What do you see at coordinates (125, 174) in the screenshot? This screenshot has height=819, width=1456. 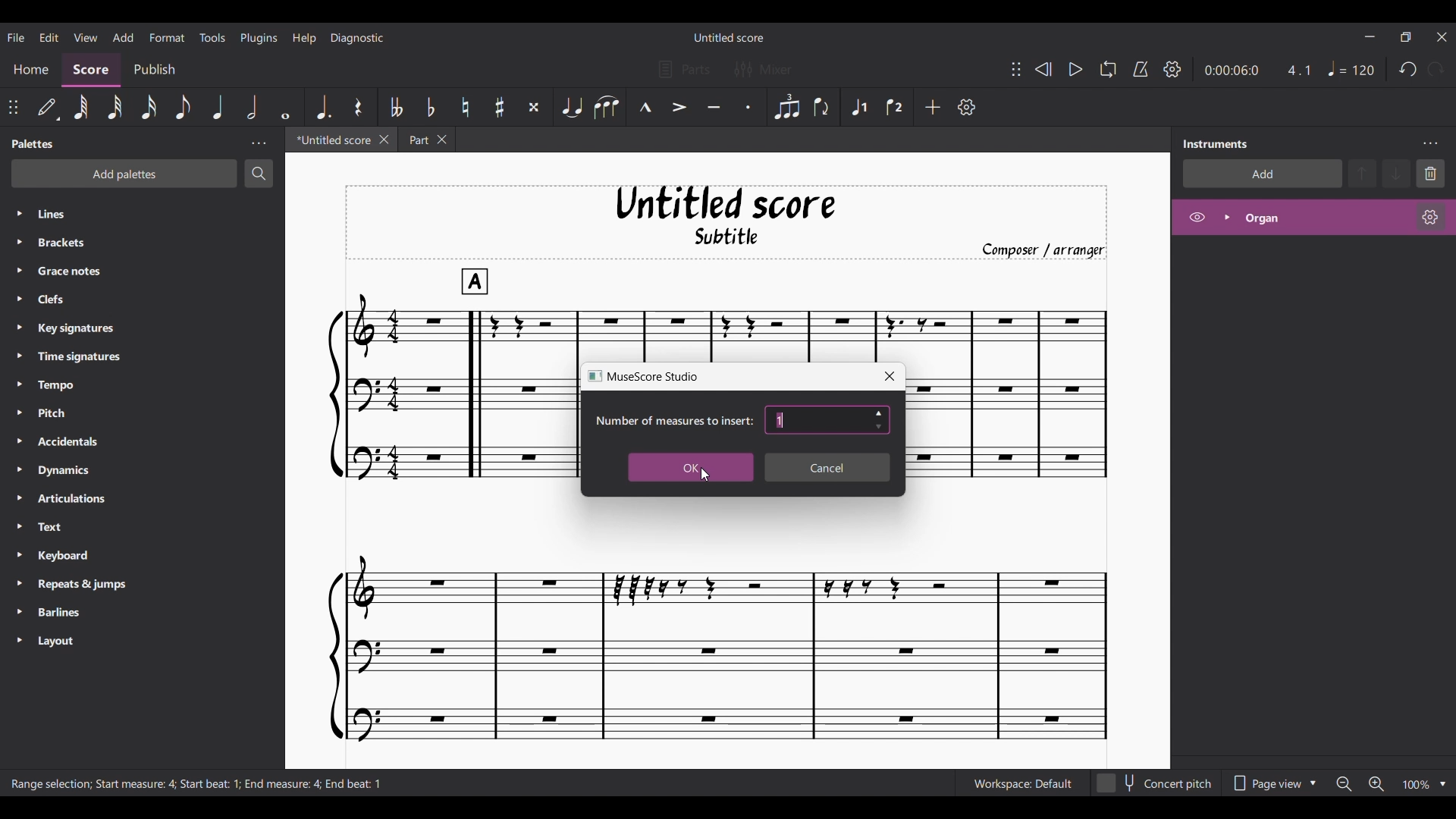 I see `Add palette` at bounding box center [125, 174].